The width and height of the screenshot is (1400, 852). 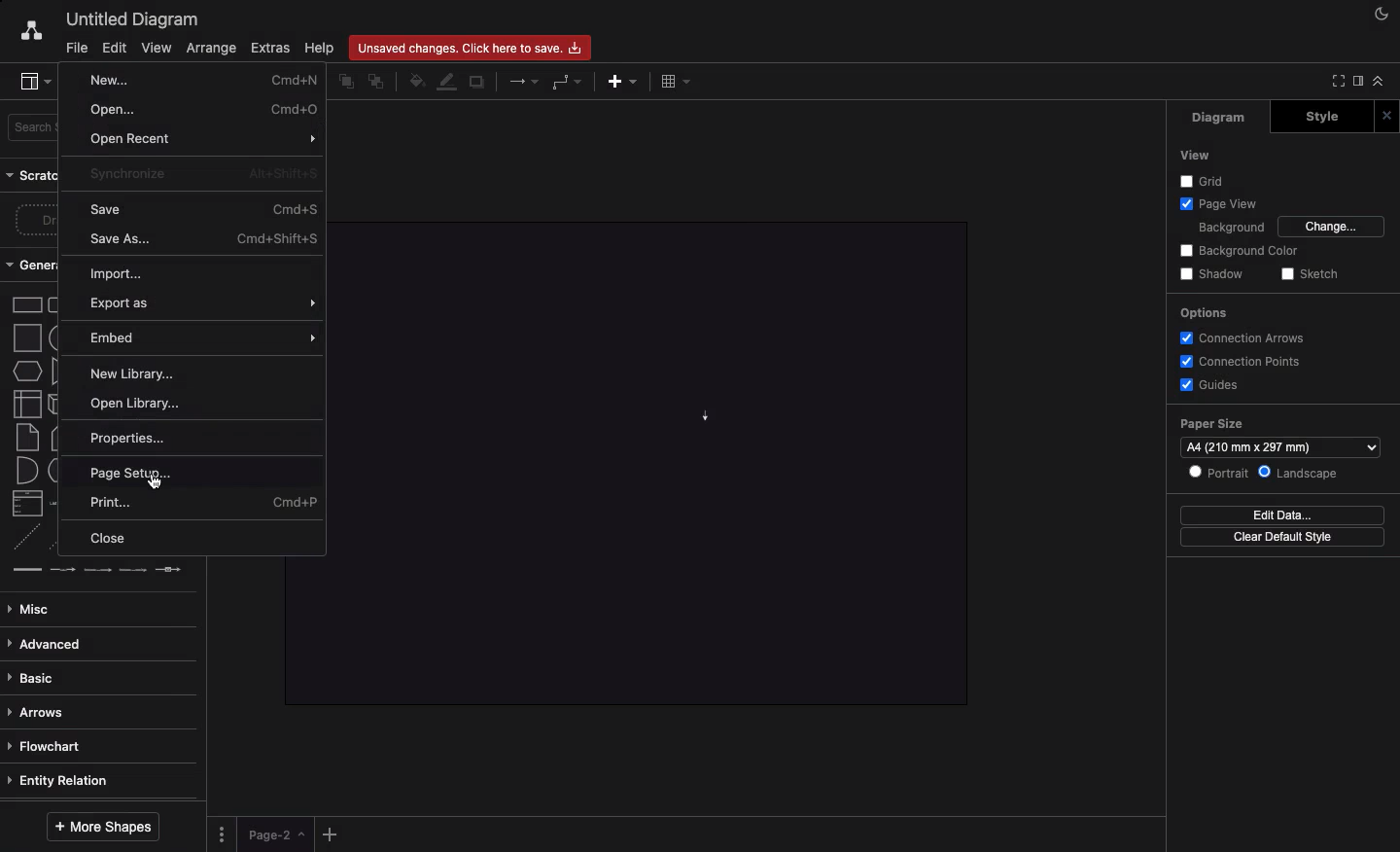 I want to click on More shapes, so click(x=104, y=828).